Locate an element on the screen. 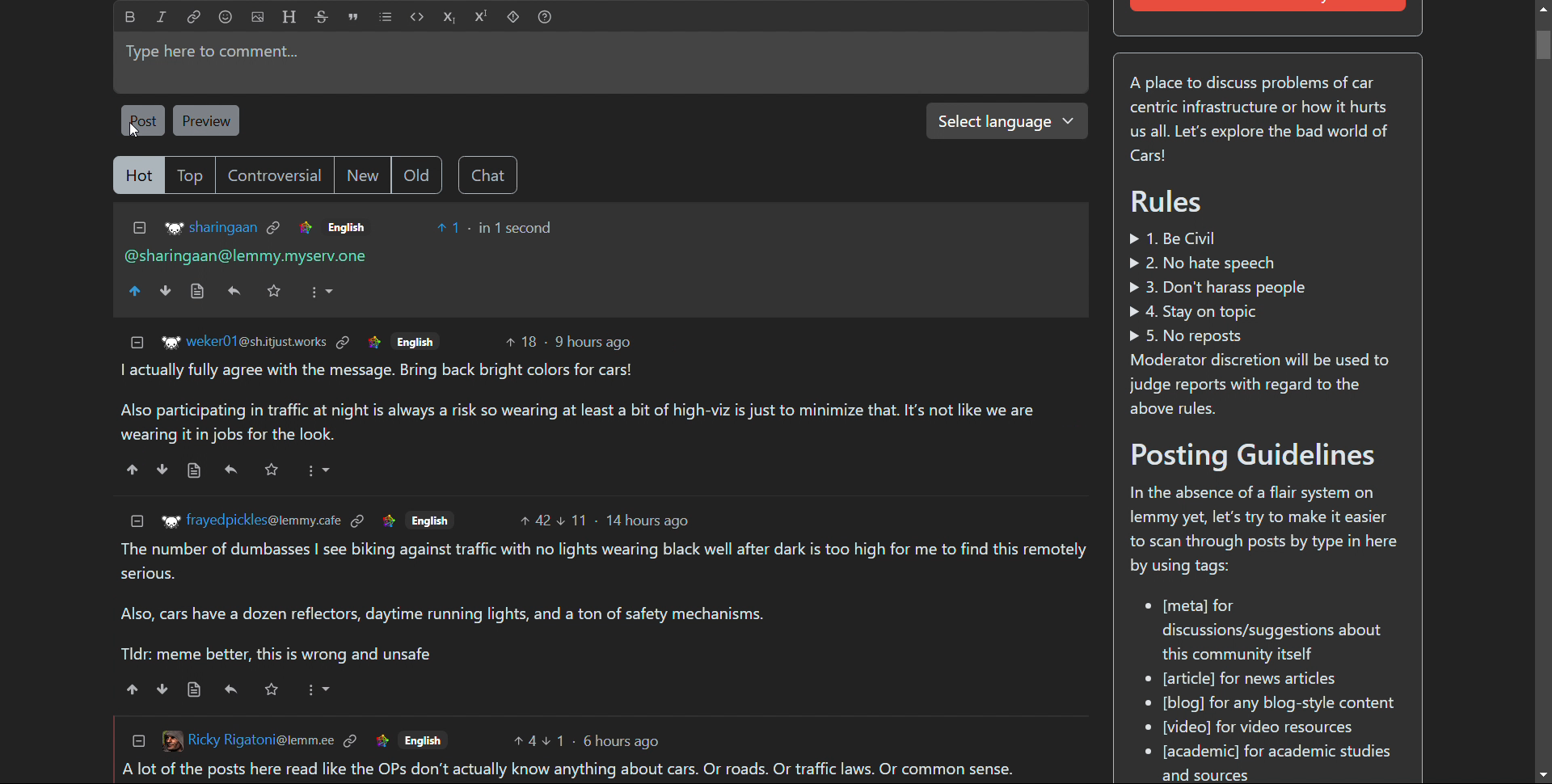 This screenshot has width=1552, height=784. subscript is located at coordinates (449, 17).